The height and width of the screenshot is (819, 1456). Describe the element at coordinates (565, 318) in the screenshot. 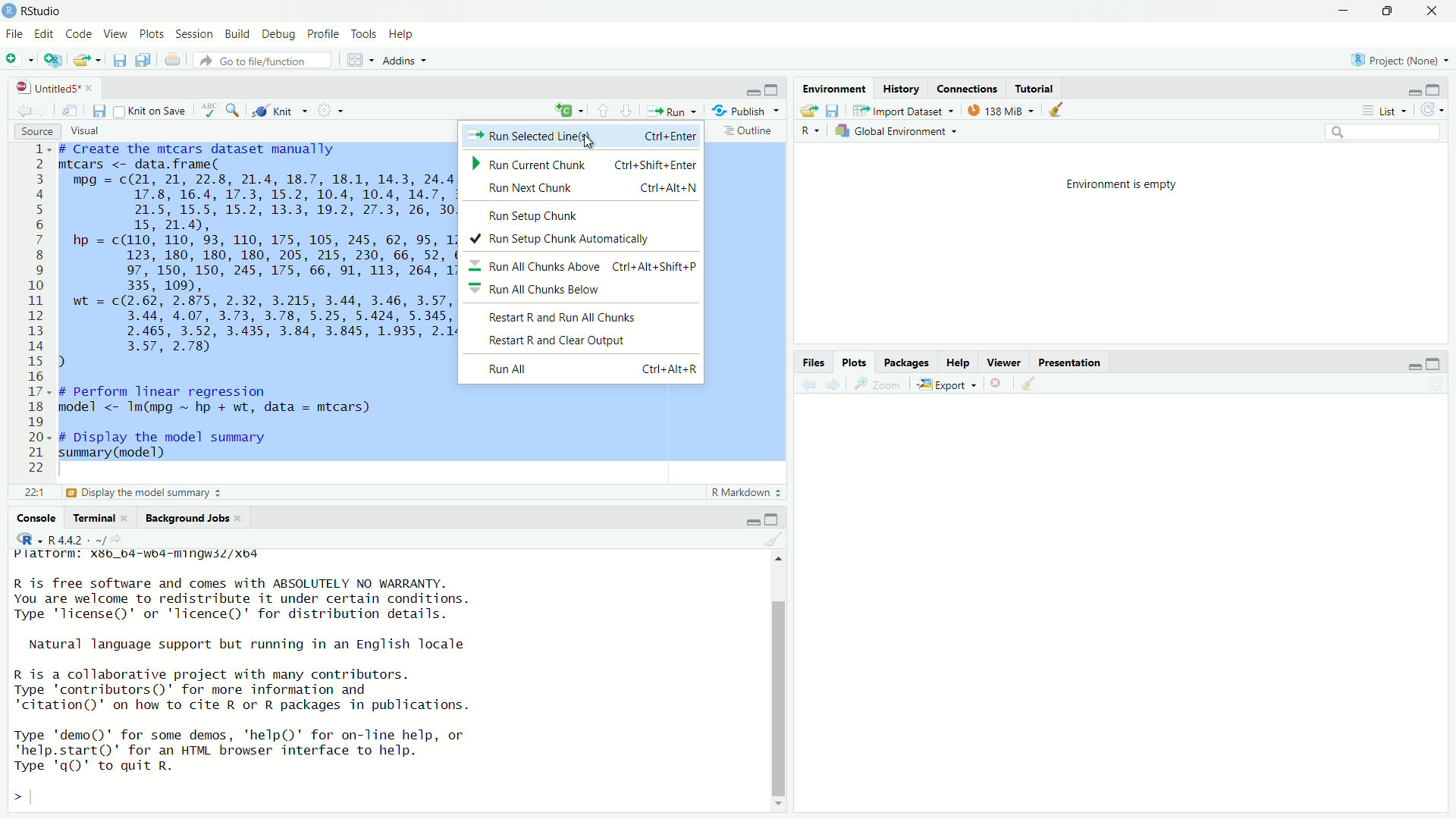

I see `Restart R and Run All Chunks` at that location.